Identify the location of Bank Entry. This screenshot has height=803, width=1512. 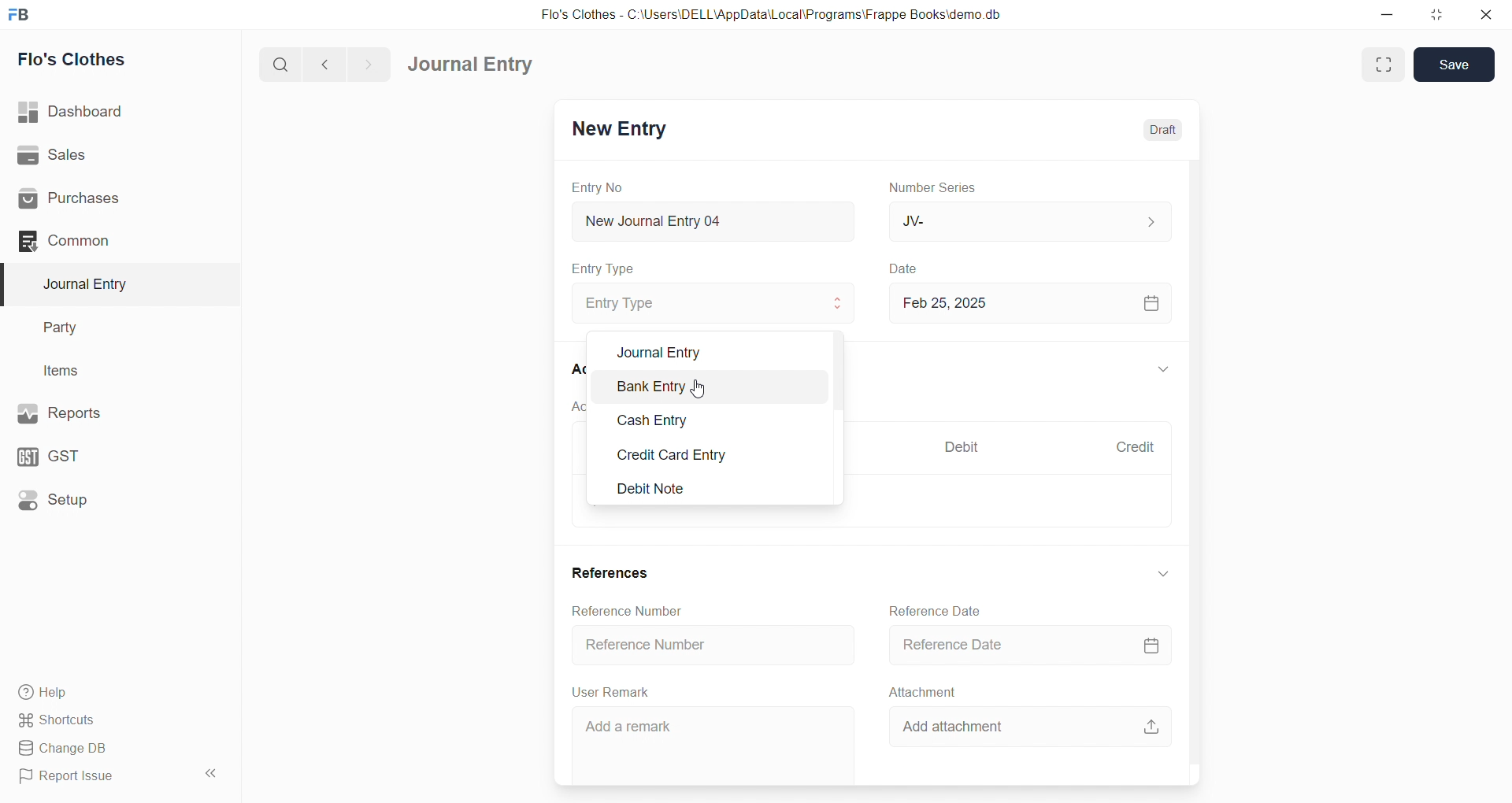
(705, 390).